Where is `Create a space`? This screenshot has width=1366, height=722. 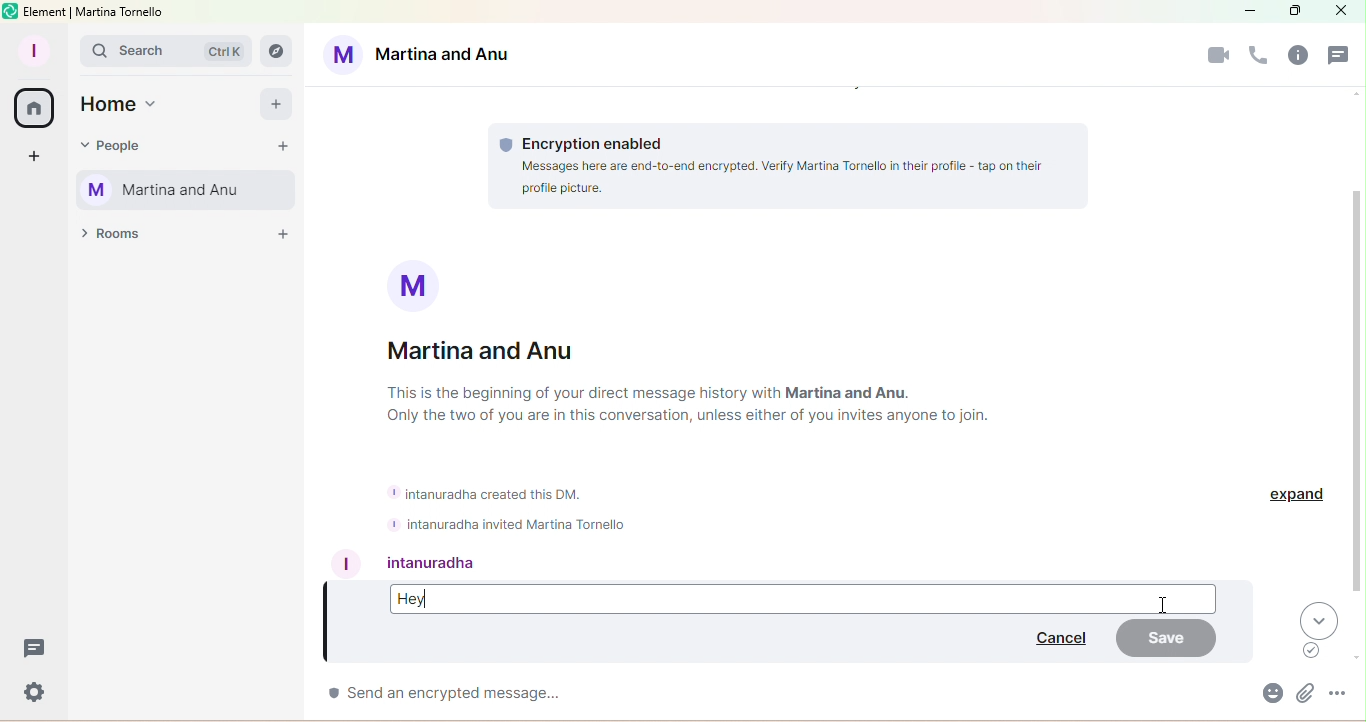 Create a space is located at coordinates (31, 157).